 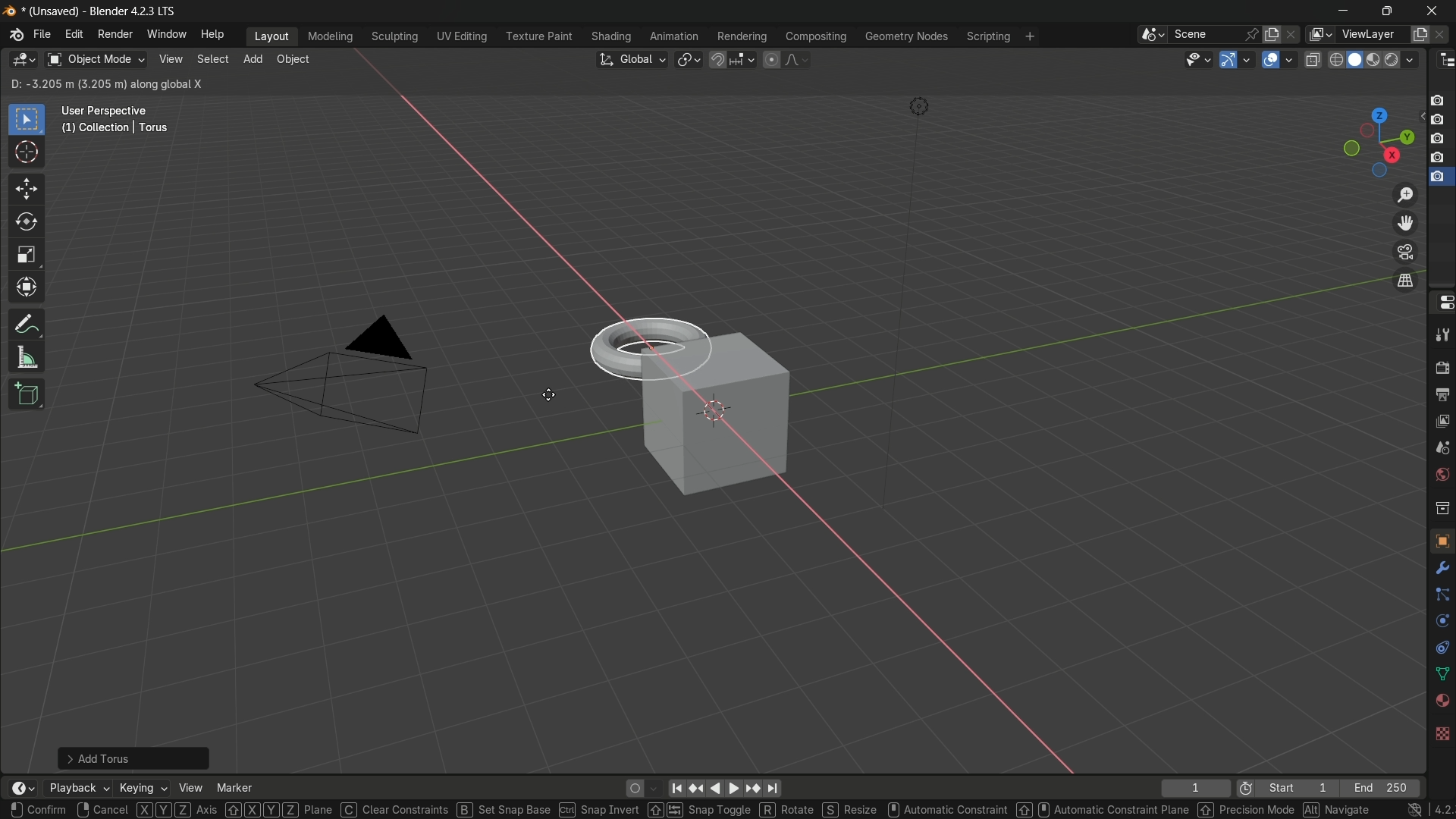 What do you see at coordinates (342, 375) in the screenshot?
I see `camera` at bounding box center [342, 375].